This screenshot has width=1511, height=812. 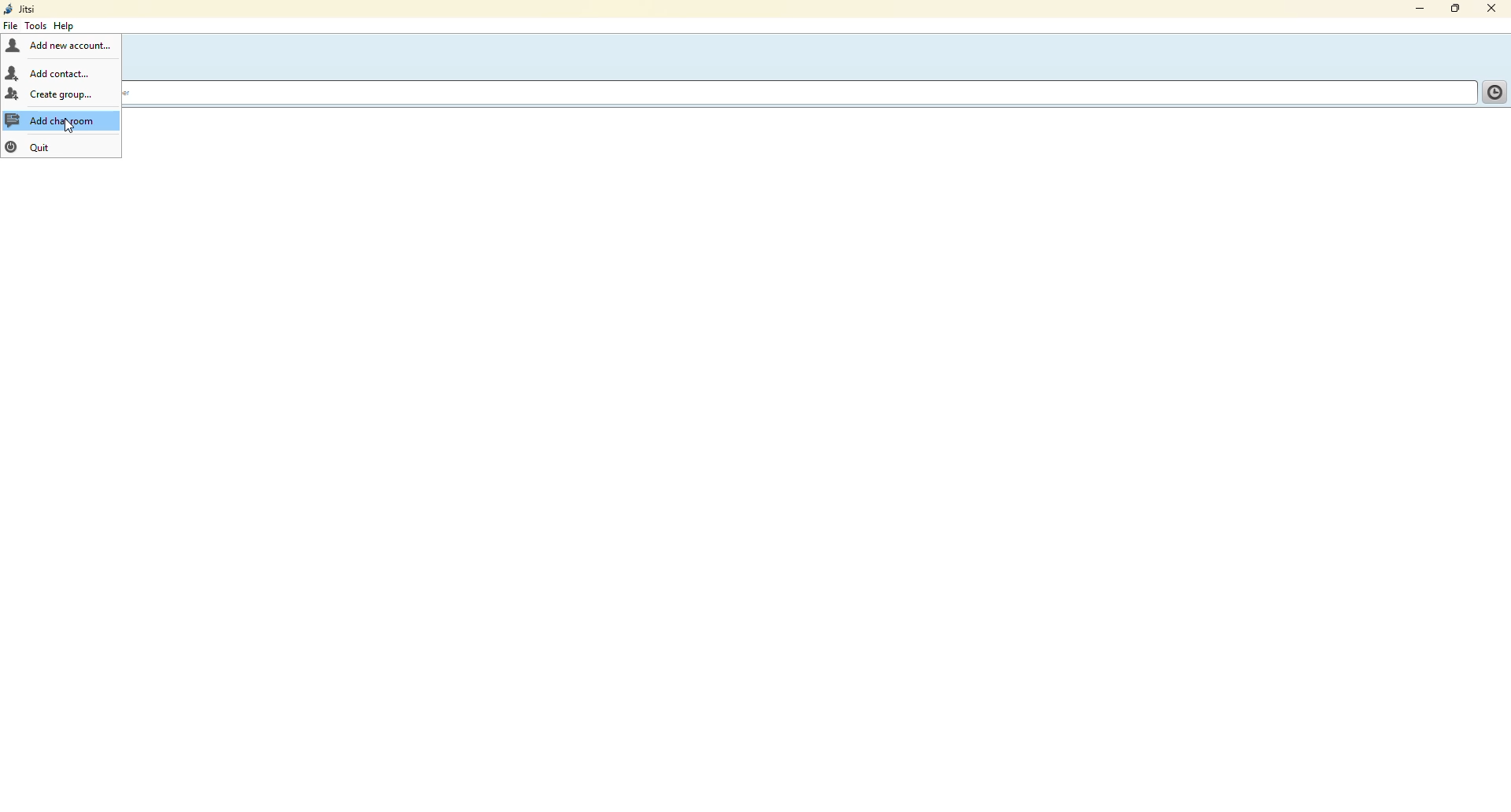 I want to click on create group, so click(x=51, y=94).